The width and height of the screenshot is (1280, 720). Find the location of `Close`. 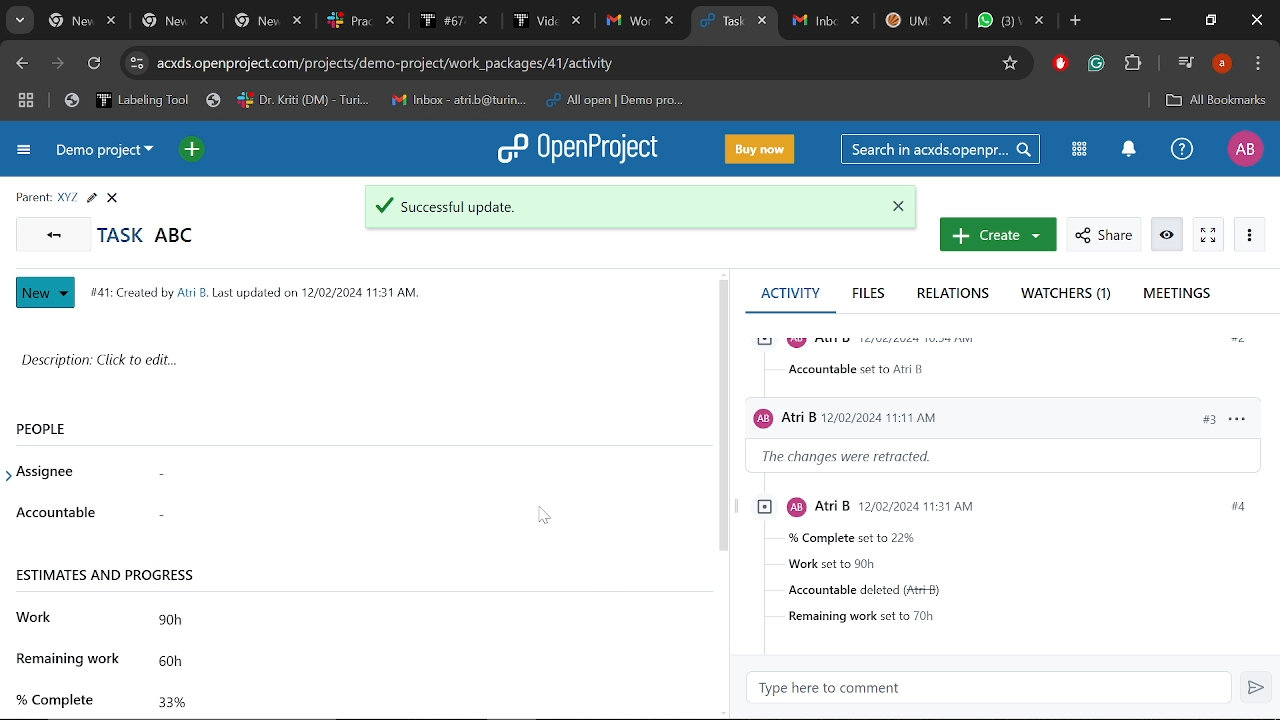

Close is located at coordinates (1254, 21).